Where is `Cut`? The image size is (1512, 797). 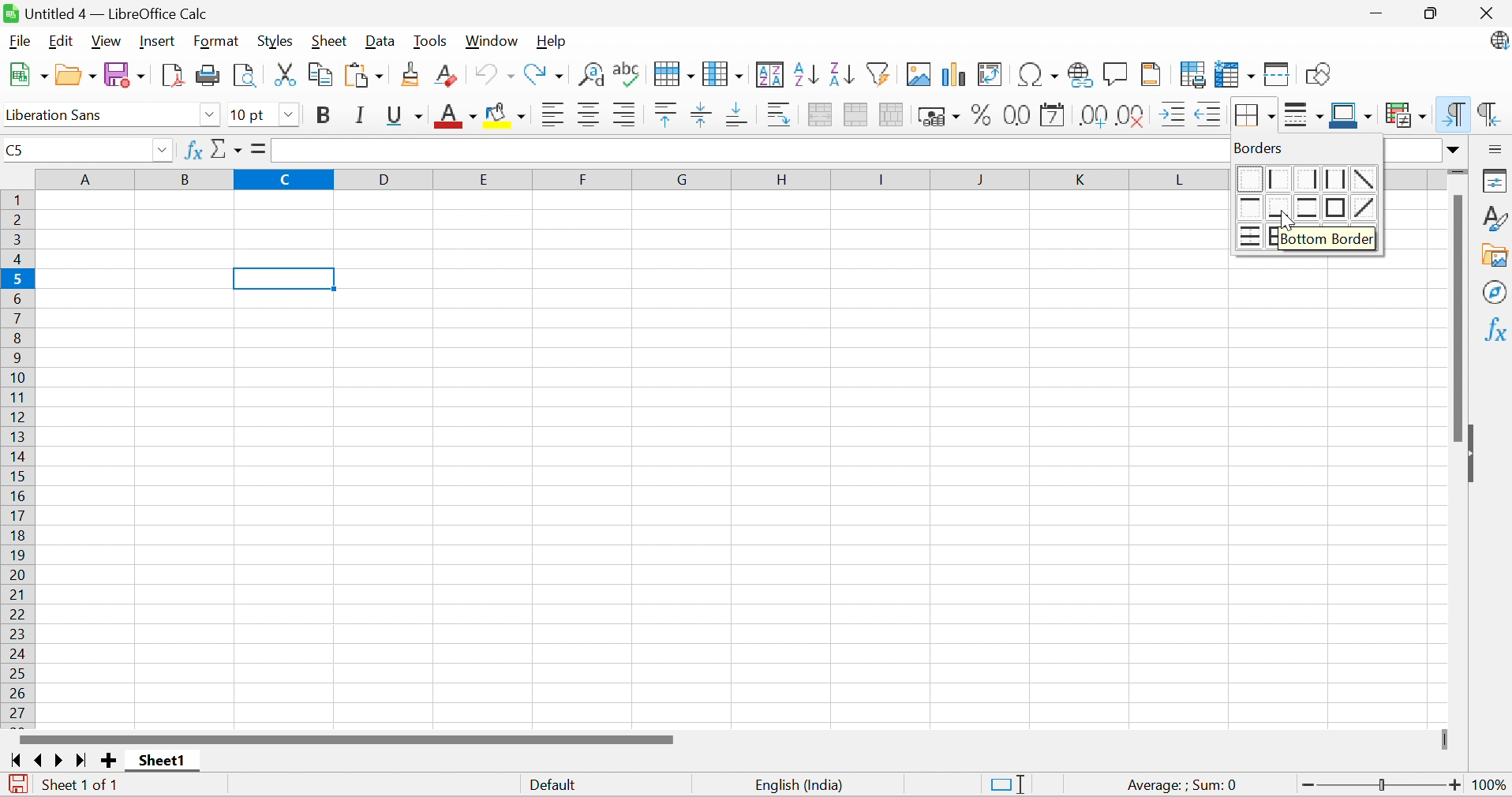
Cut is located at coordinates (285, 75).